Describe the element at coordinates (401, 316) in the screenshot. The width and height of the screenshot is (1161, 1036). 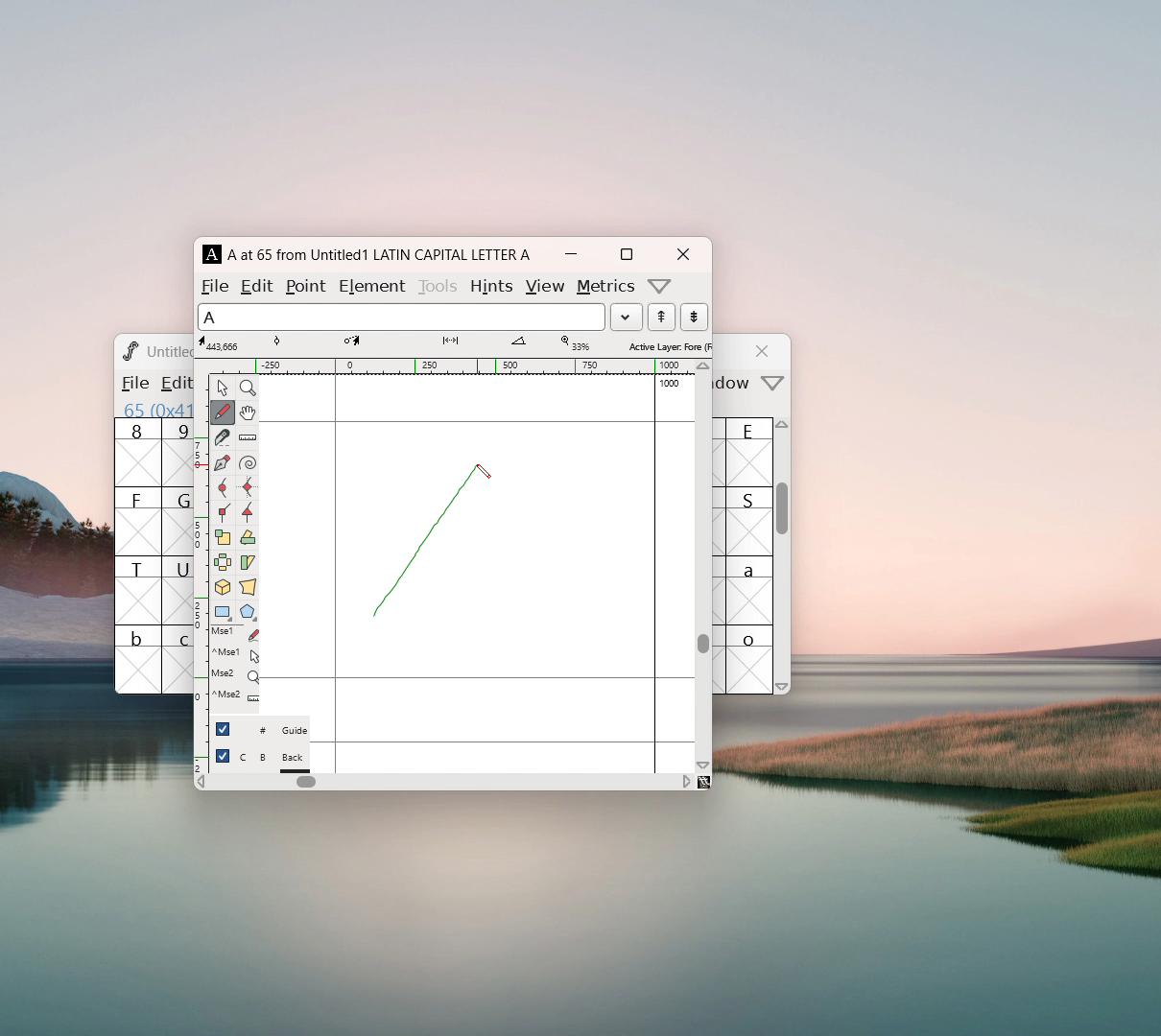
I see `selected letter` at that location.